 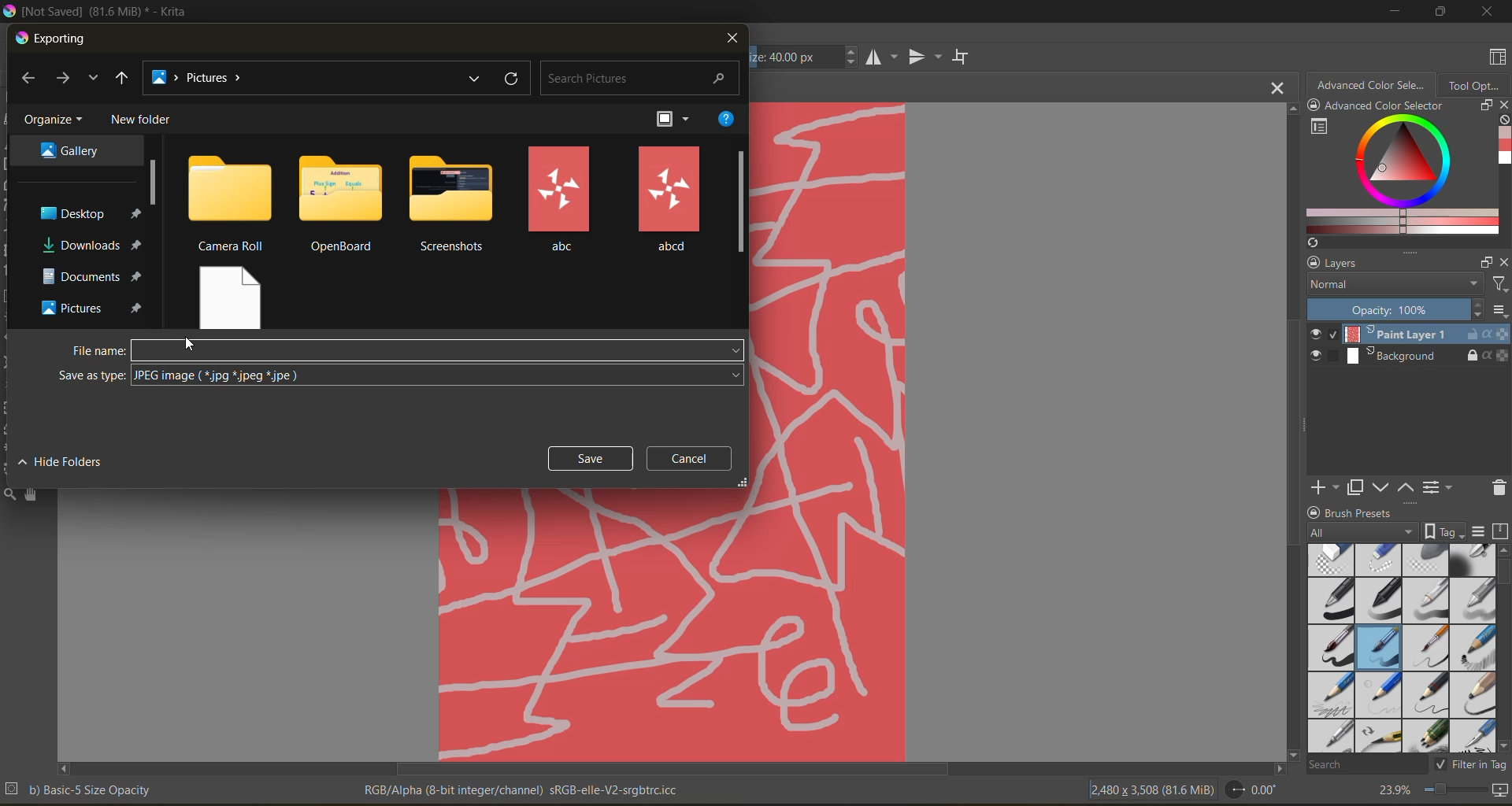 What do you see at coordinates (695, 458) in the screenshot?
I see `cancel` at bounding box center [695, 458].